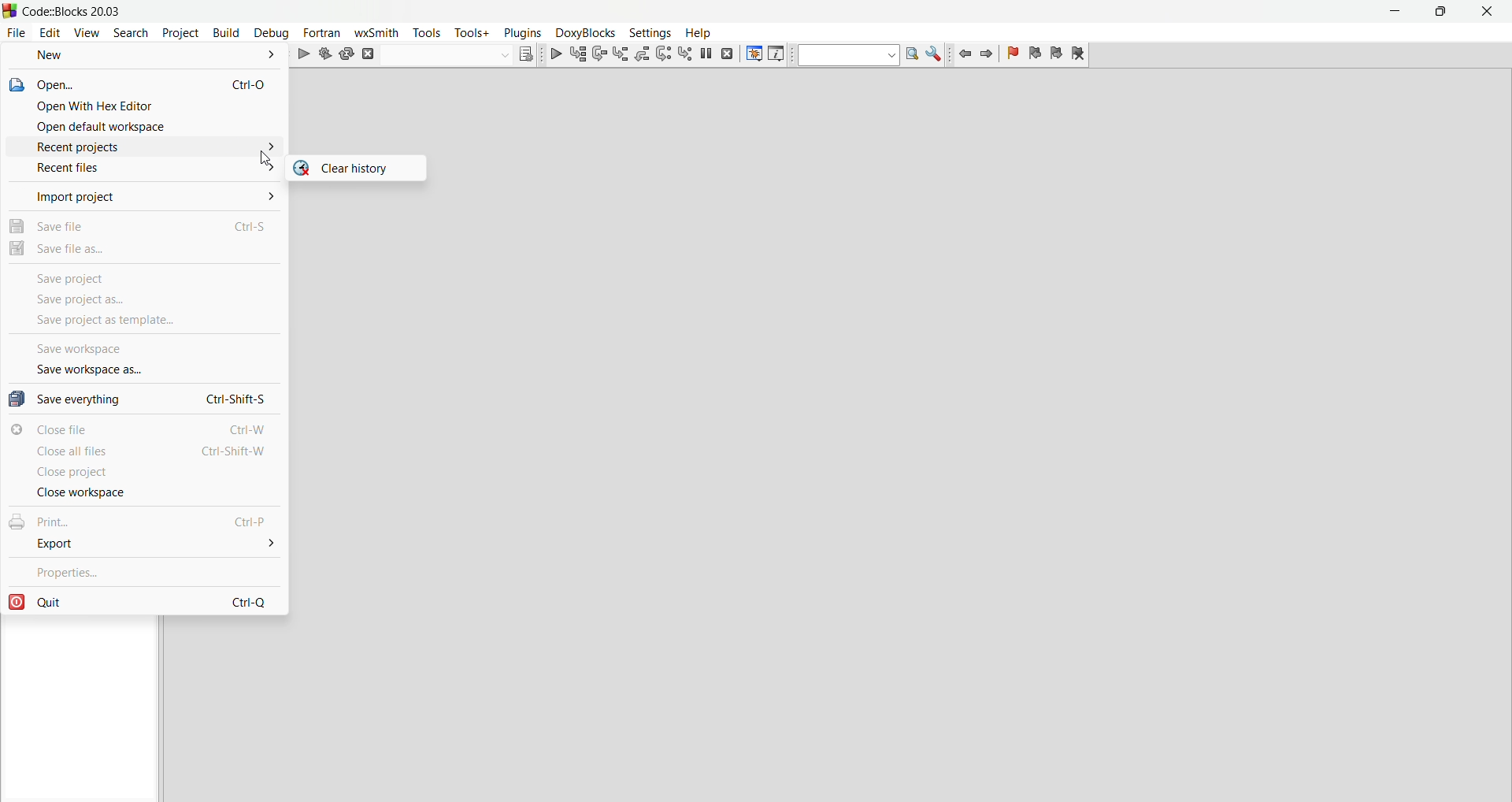 This screenshot has width=1512, height=802. Describe the element at coordinates (471, 32) in the screenshot. I see `tools+` at that location.